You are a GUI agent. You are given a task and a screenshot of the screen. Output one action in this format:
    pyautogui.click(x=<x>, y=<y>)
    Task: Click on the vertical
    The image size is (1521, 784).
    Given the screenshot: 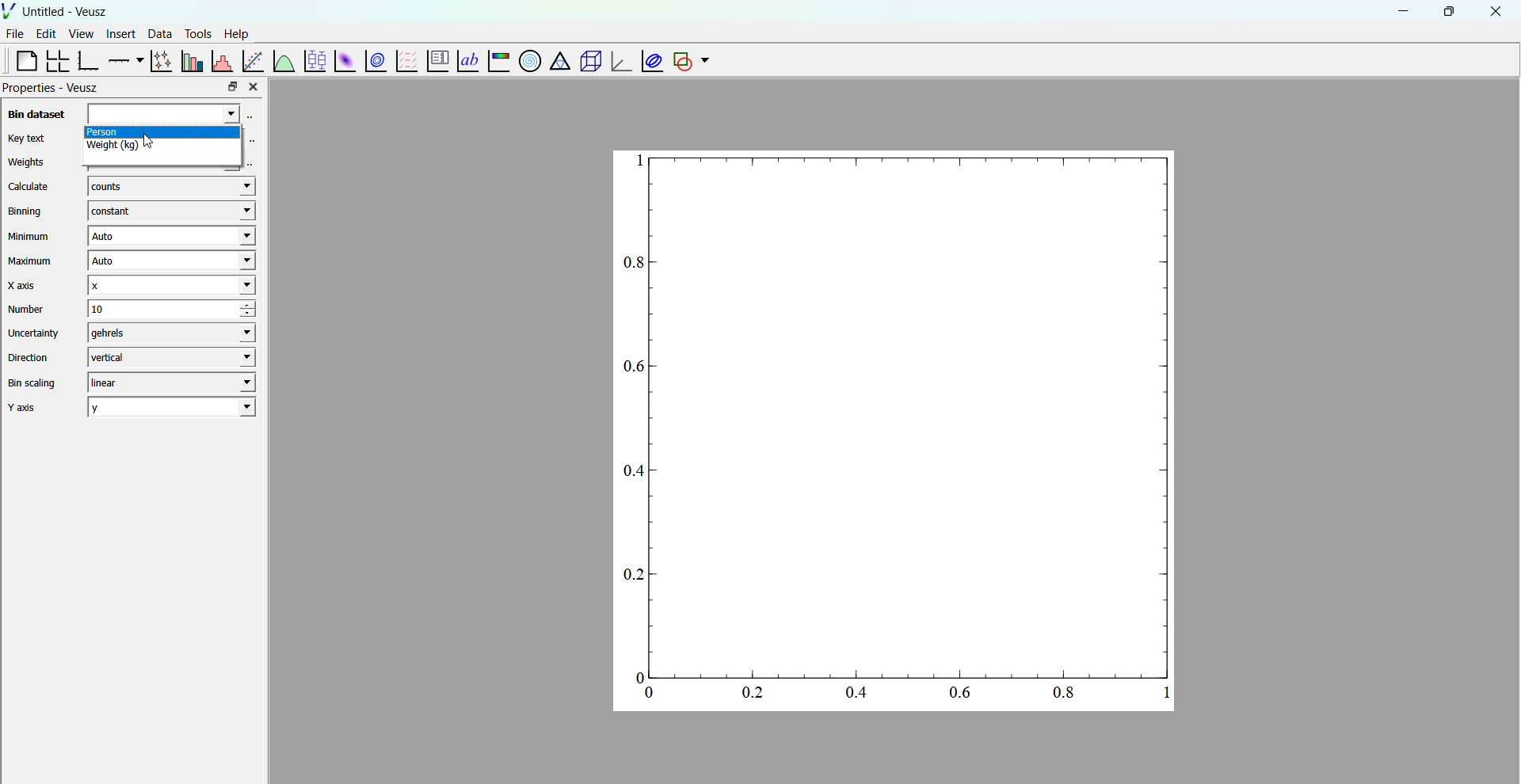 What is the action you would take?
    pyautogui.click(x=170, y=356)
    